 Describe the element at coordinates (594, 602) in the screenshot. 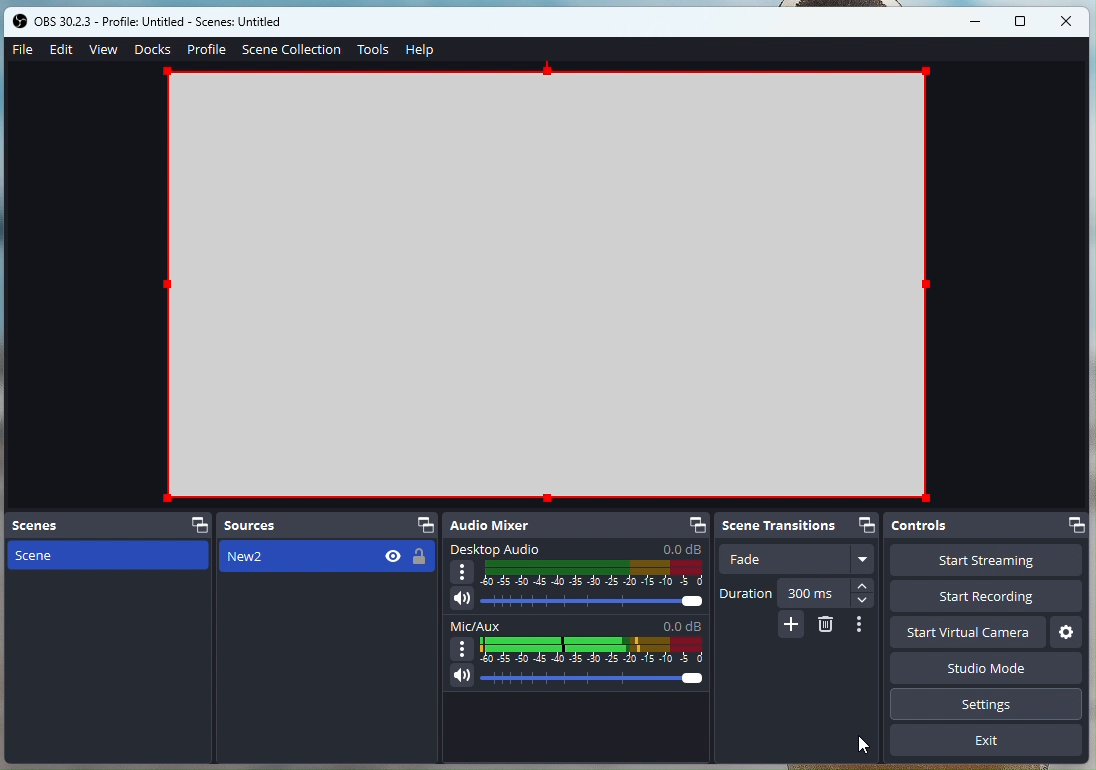

I see `Audio level slider` at that location.